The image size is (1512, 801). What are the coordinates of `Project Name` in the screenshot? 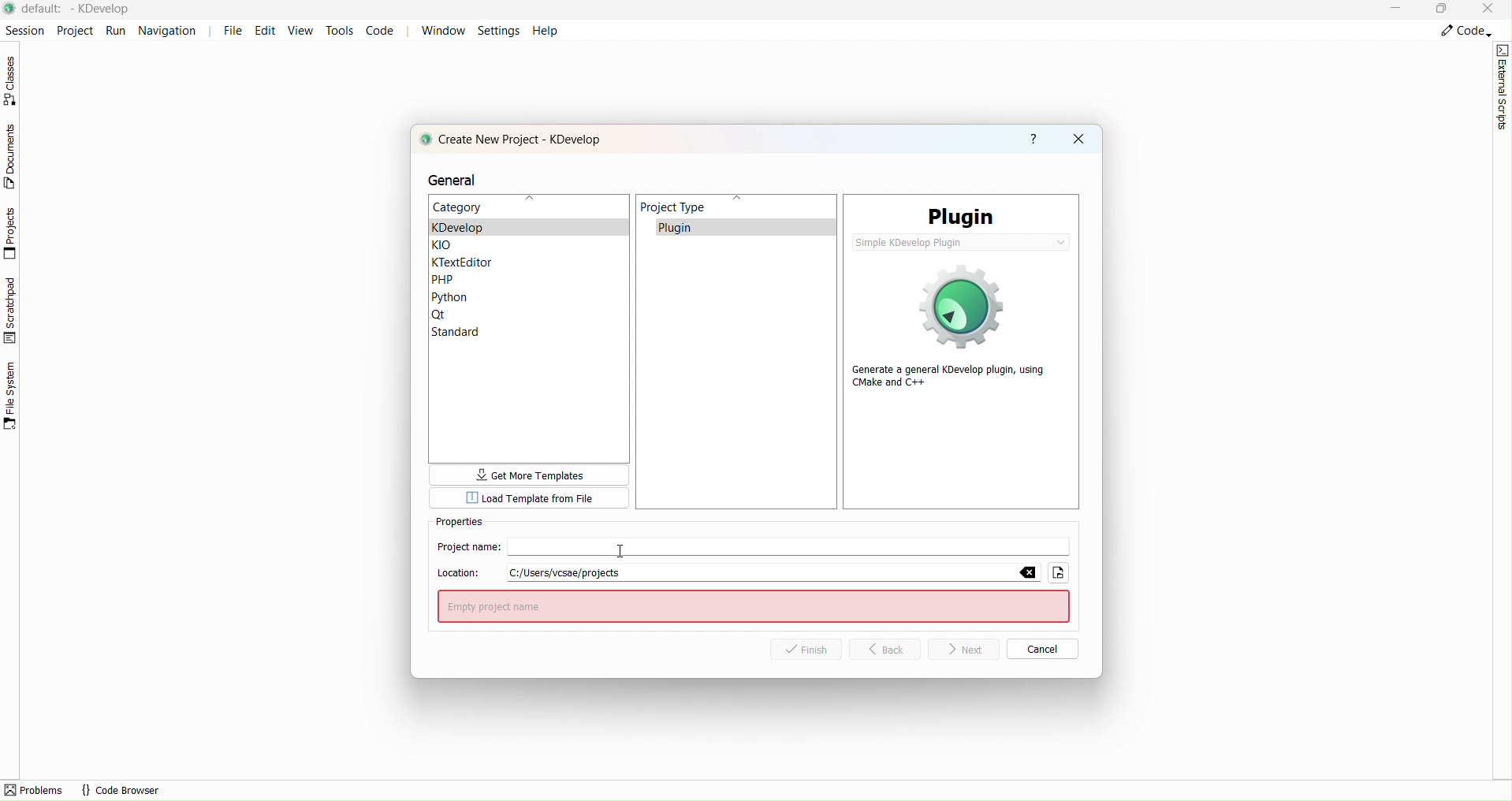 It's located at (754, 546).